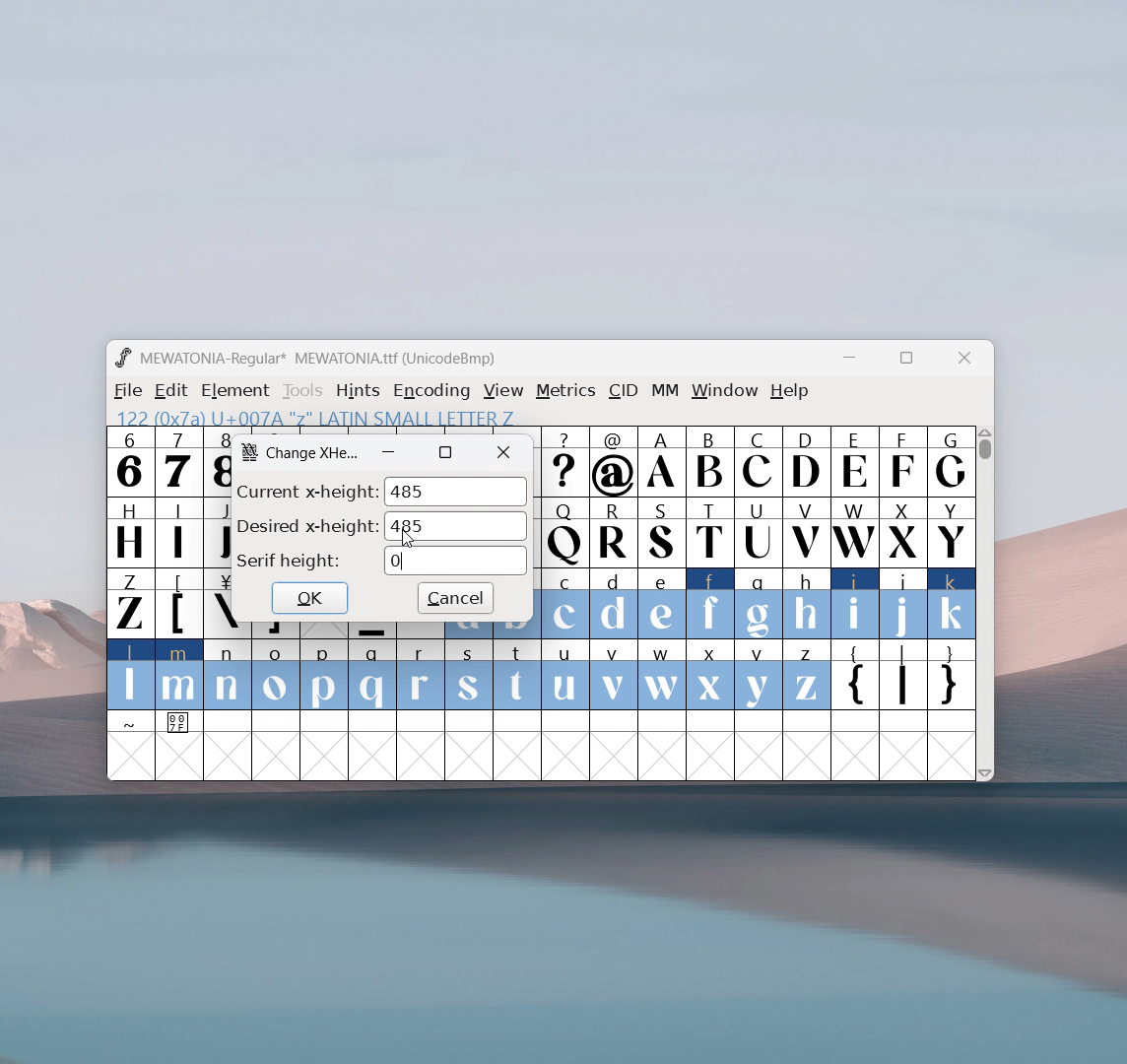 The image size is (1127, 1064). What do you see at coordinates (420, 676) in the screenshot?
I see `r` at bounding box center [420, 676].